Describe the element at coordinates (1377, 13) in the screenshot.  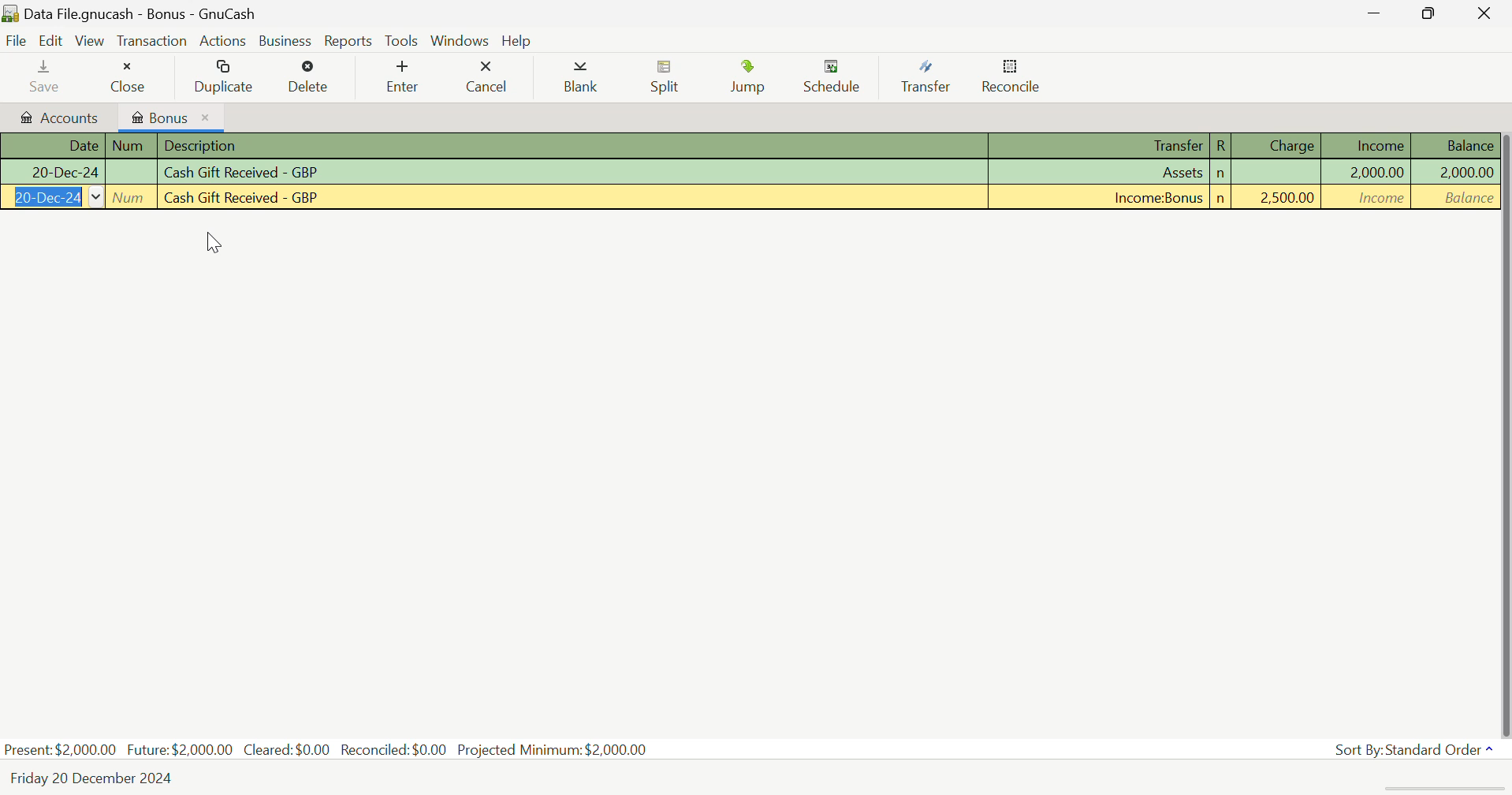
I see `Restore Down` at that location.